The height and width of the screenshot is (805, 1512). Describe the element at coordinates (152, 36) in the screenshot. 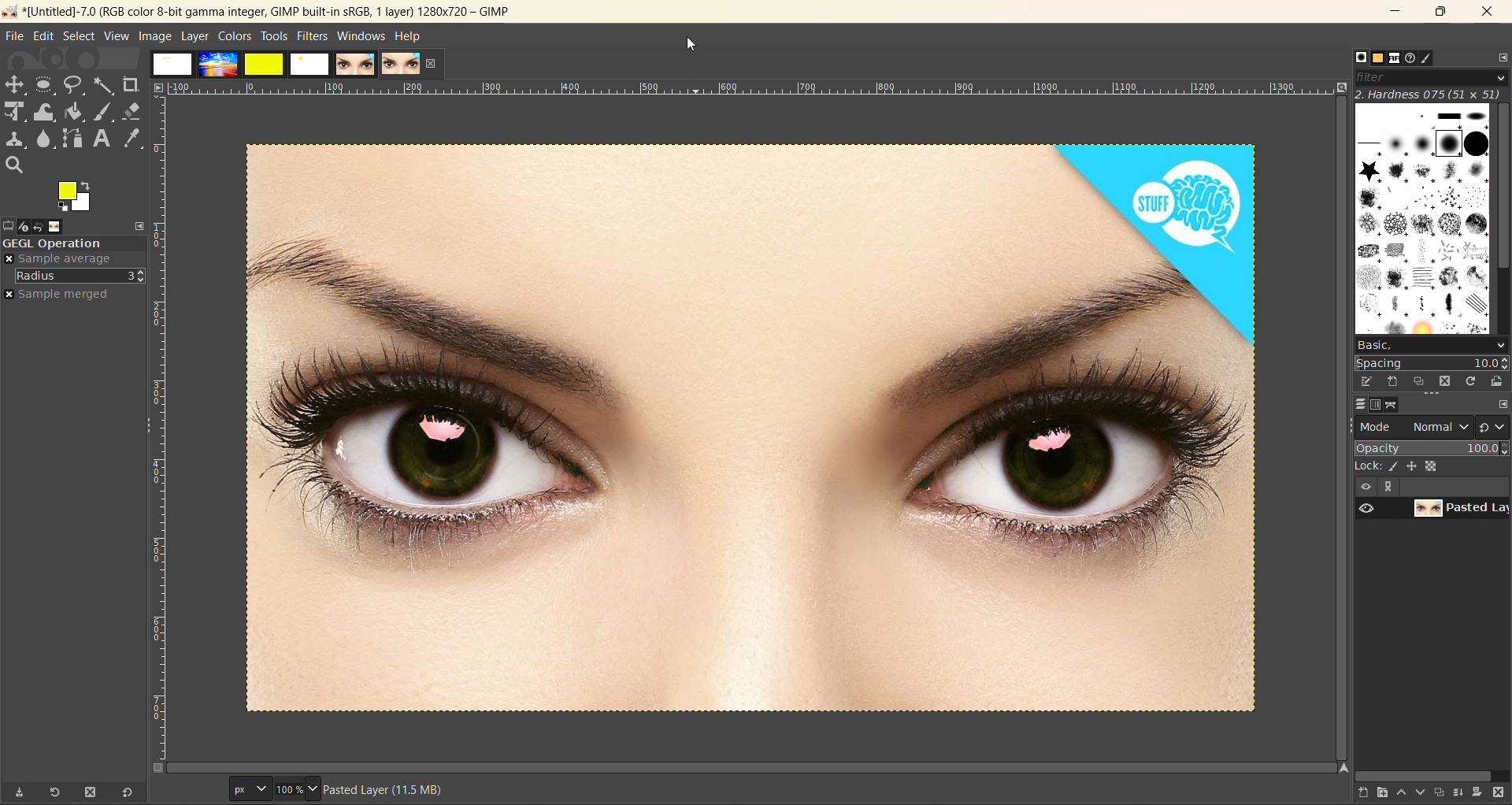

I see `image` at that location.